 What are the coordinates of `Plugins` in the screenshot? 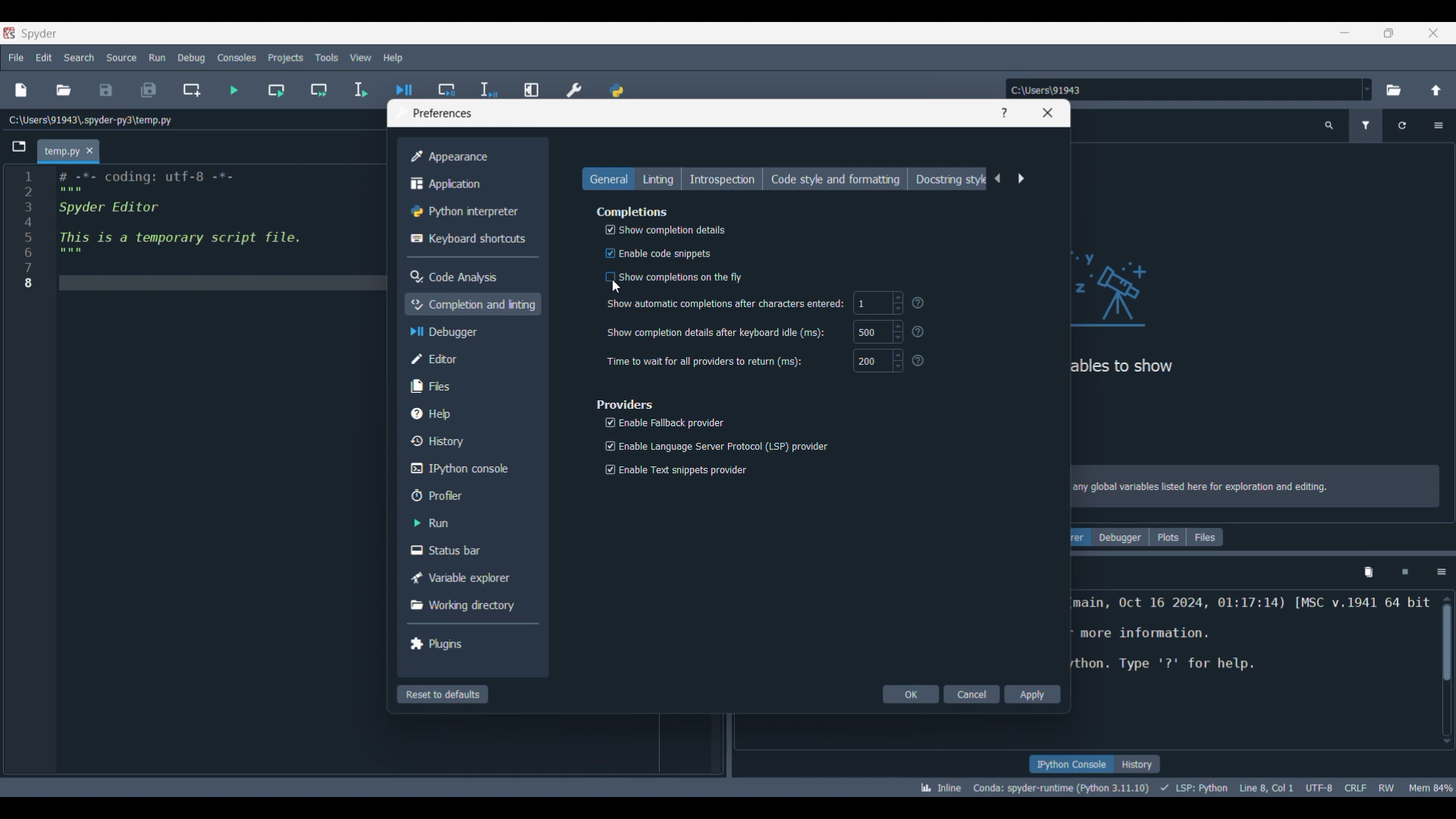 It's located at (469, 643).